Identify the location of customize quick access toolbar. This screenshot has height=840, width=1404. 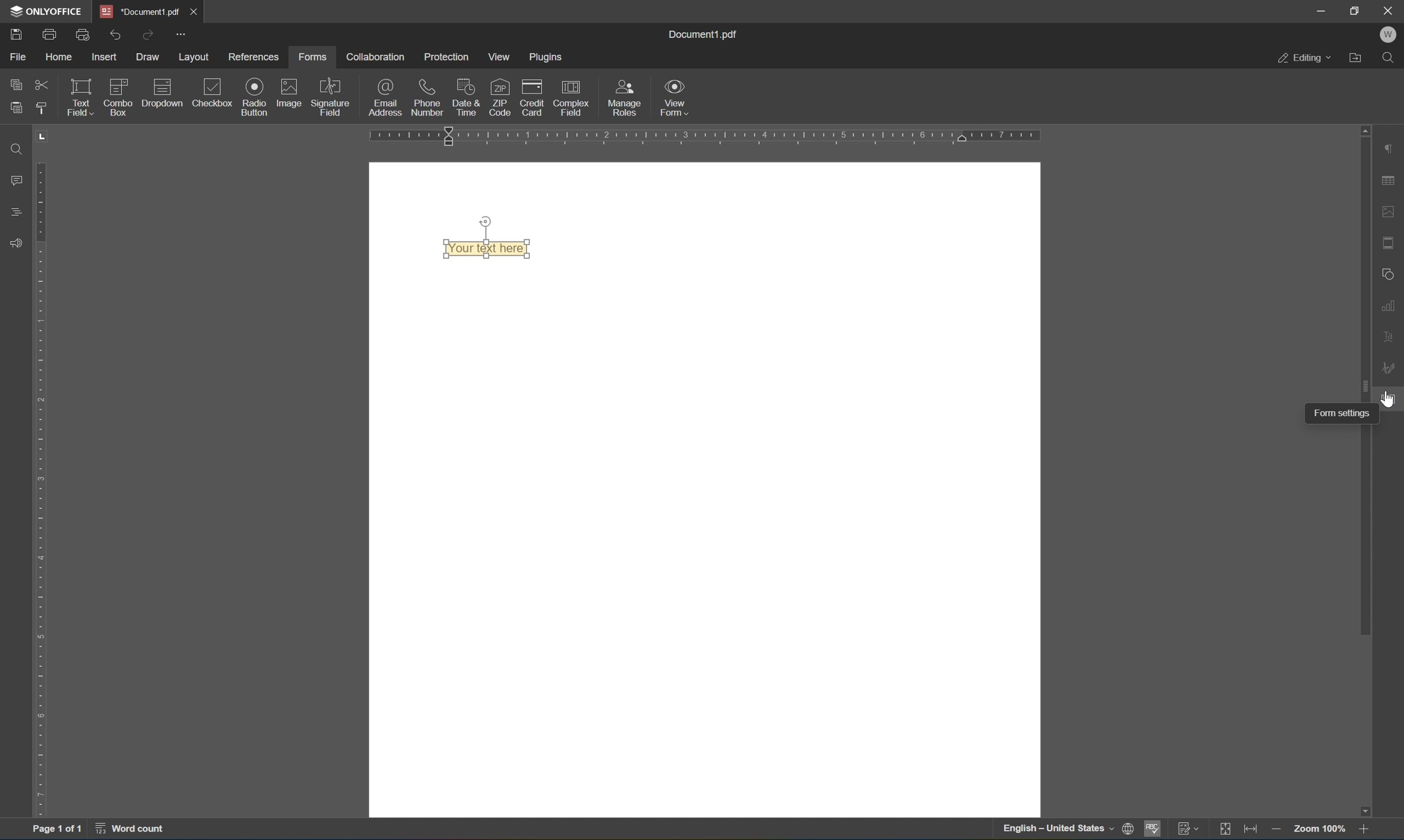
(179, 33).